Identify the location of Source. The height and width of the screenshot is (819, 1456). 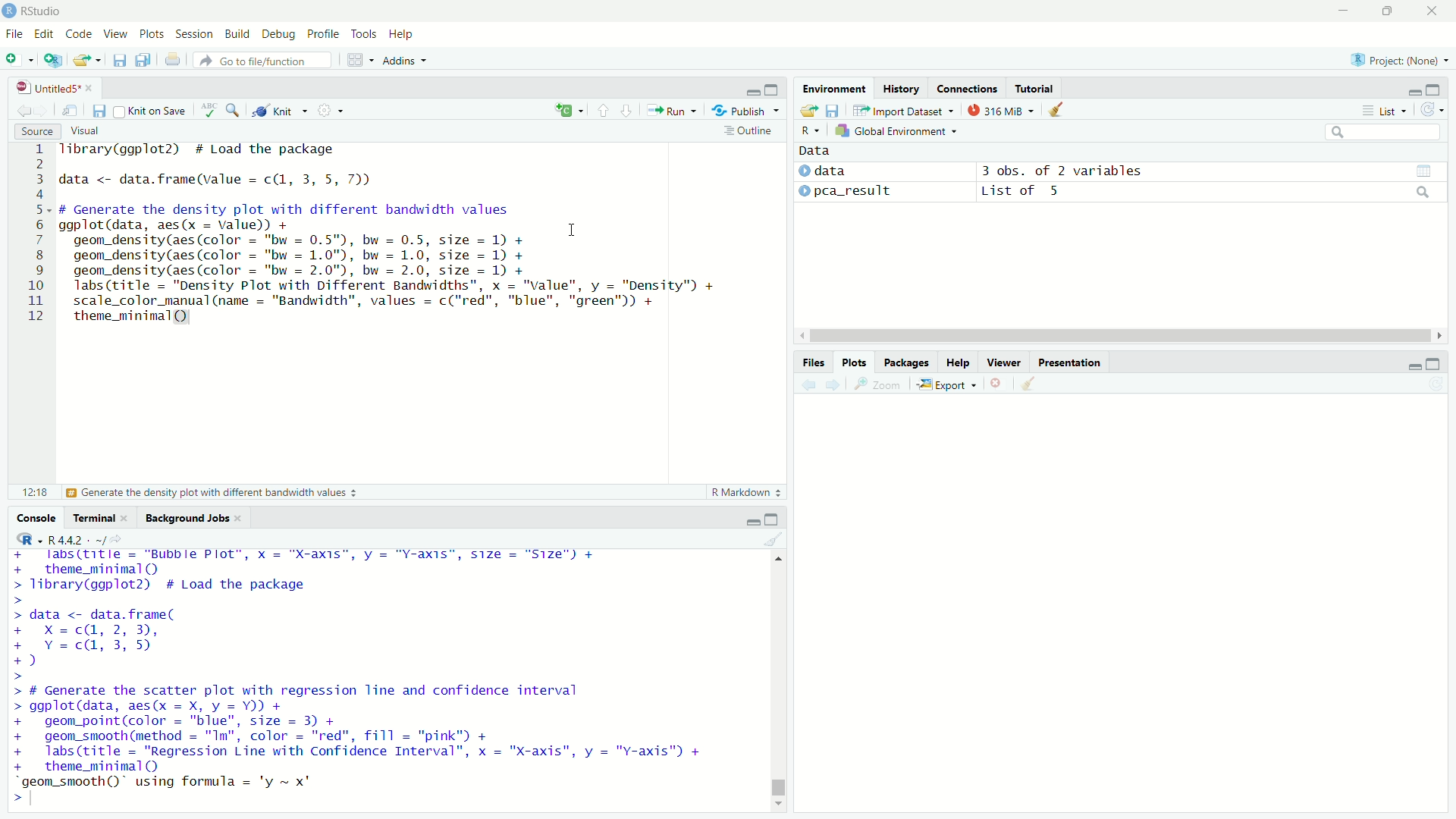
(36, 131).